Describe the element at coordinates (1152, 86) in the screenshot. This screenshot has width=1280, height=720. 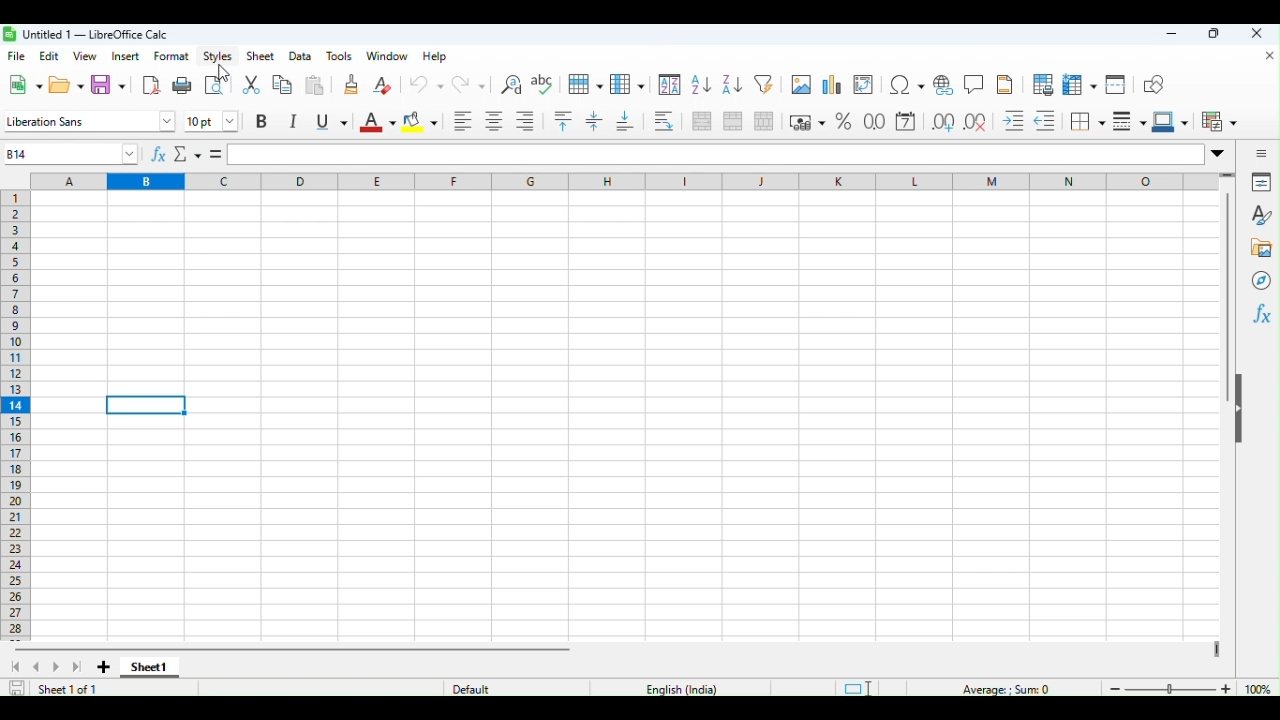
I see `Show draw function` at that location.